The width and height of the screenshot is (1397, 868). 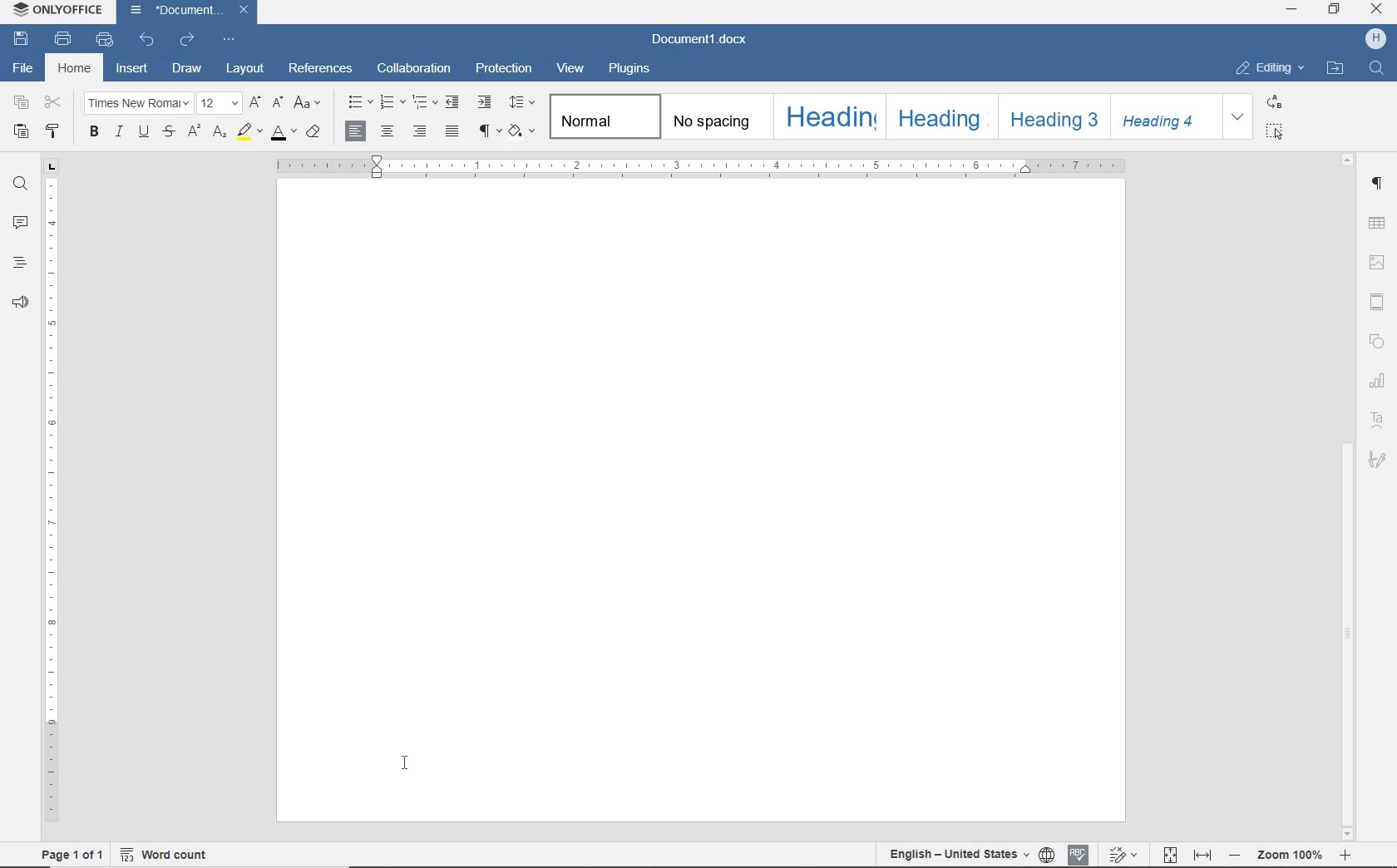 I want to click on select all, so click(x=1273, y=132).